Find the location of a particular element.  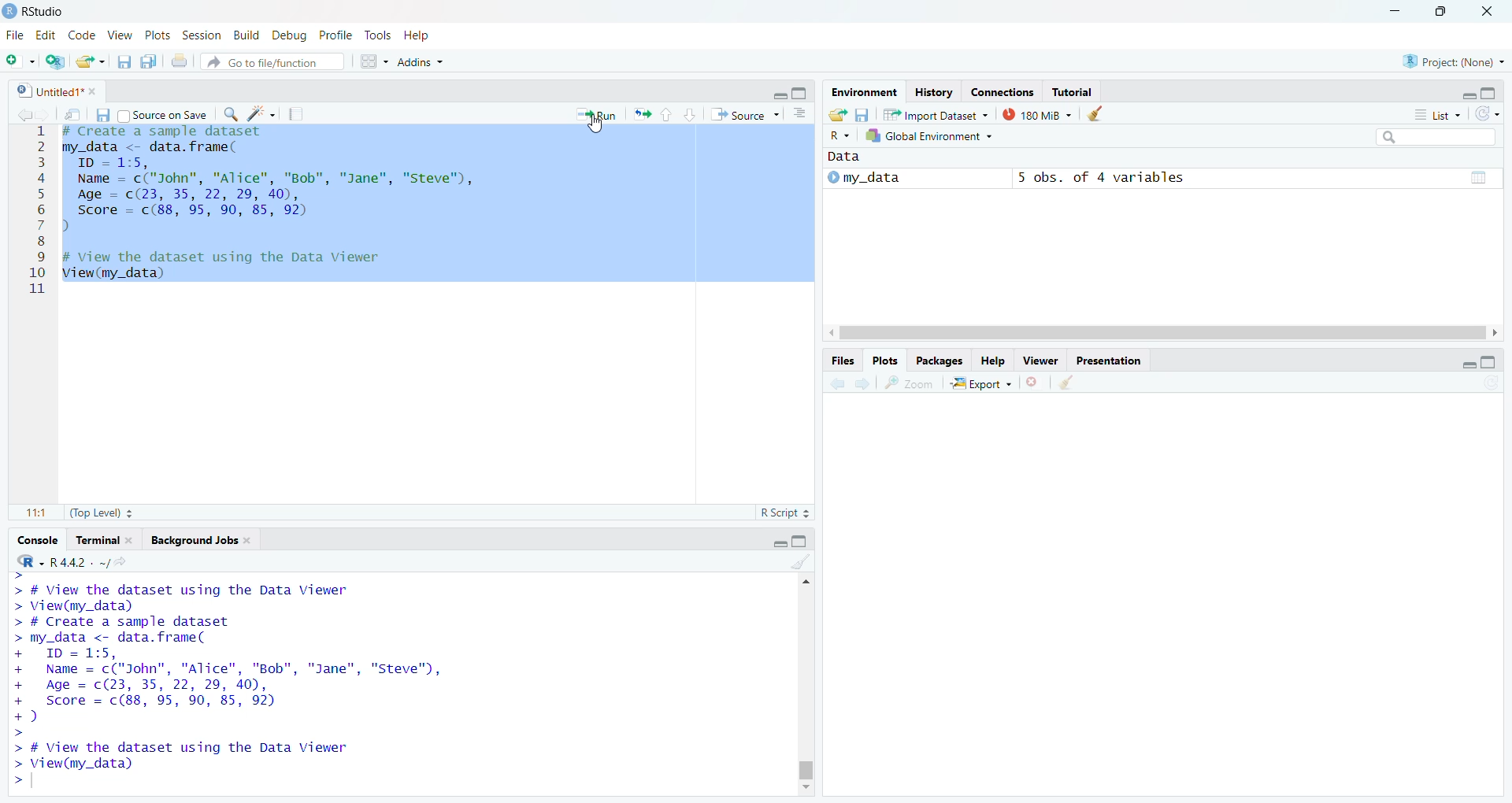

Back is located at coordinates (24, 115).